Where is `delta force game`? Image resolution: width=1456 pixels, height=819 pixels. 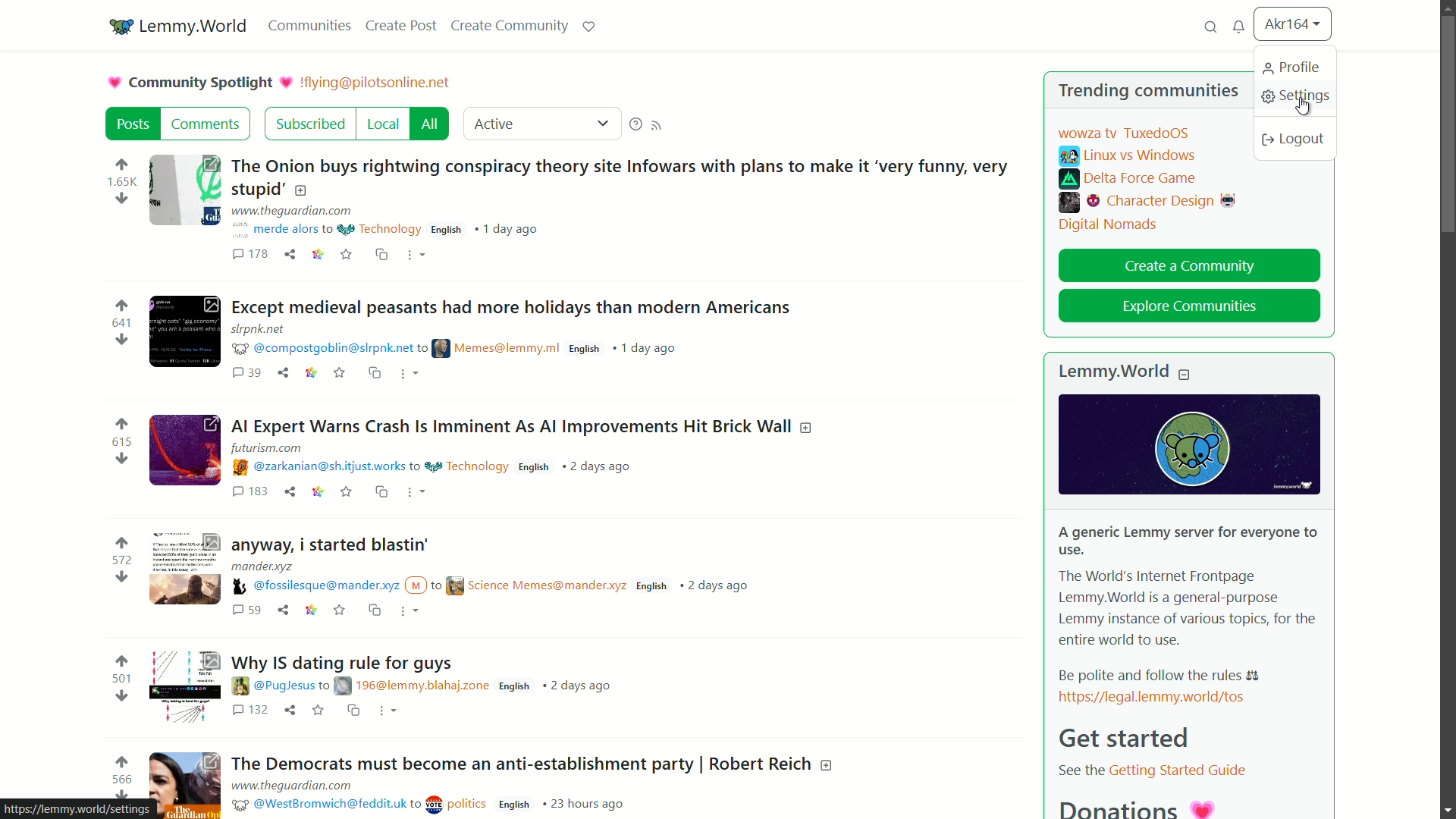
delta force game is located at coordinates (1130, 180).